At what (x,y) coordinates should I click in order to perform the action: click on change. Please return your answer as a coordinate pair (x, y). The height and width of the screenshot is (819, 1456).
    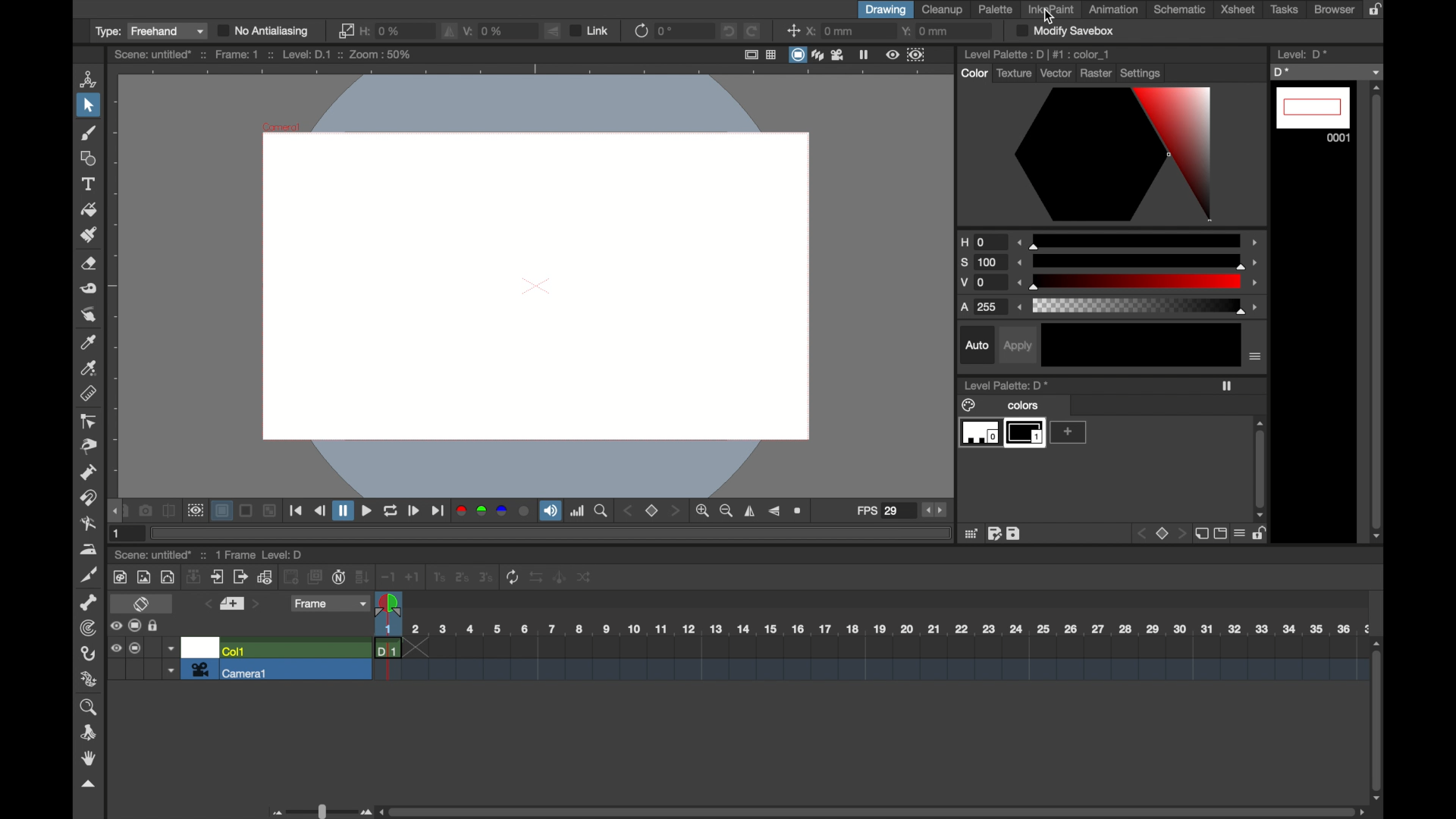
    Looking at the image, I should click on (584, 577).